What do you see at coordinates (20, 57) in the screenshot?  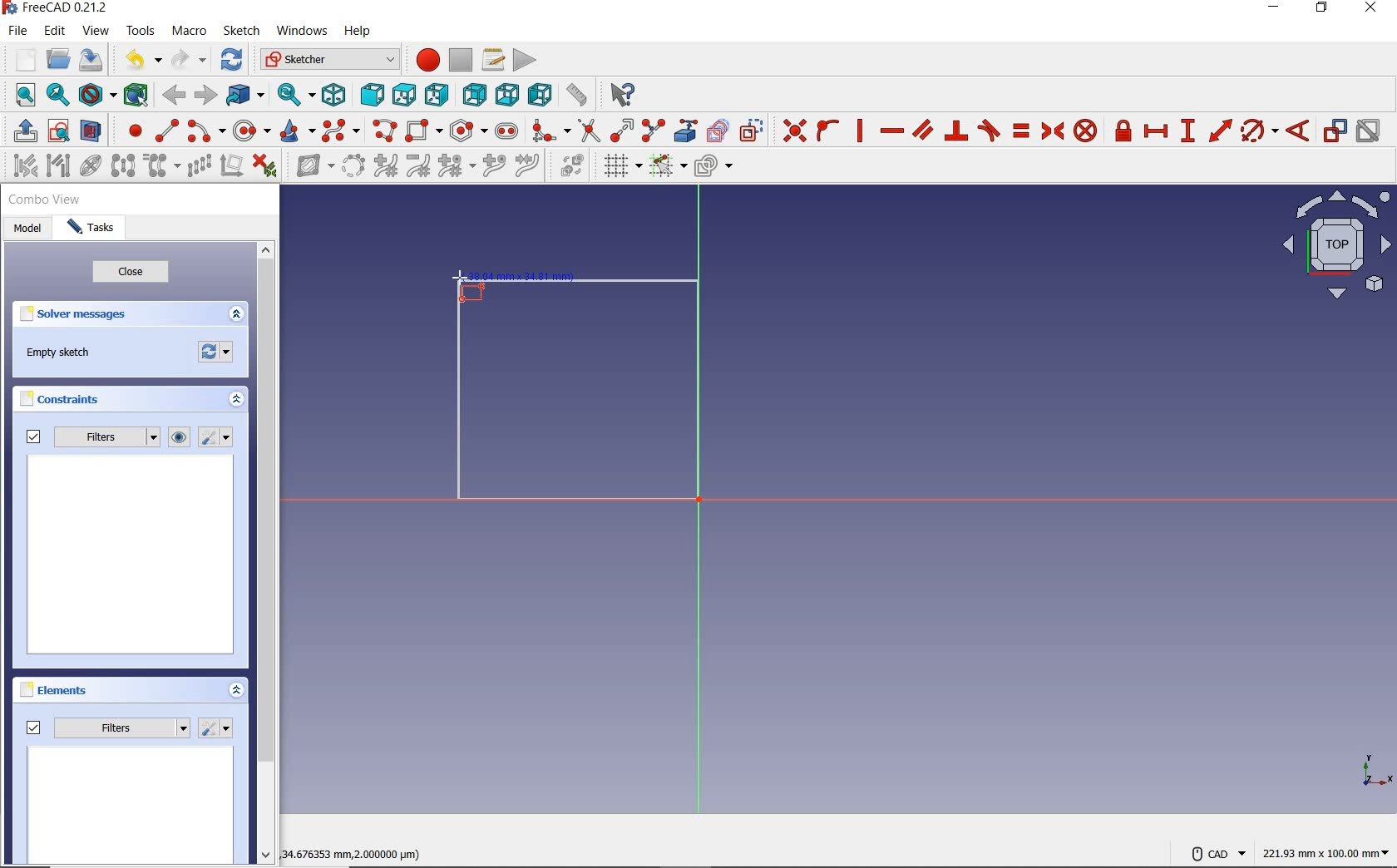 I see `new` at bounding box center [20, 57].